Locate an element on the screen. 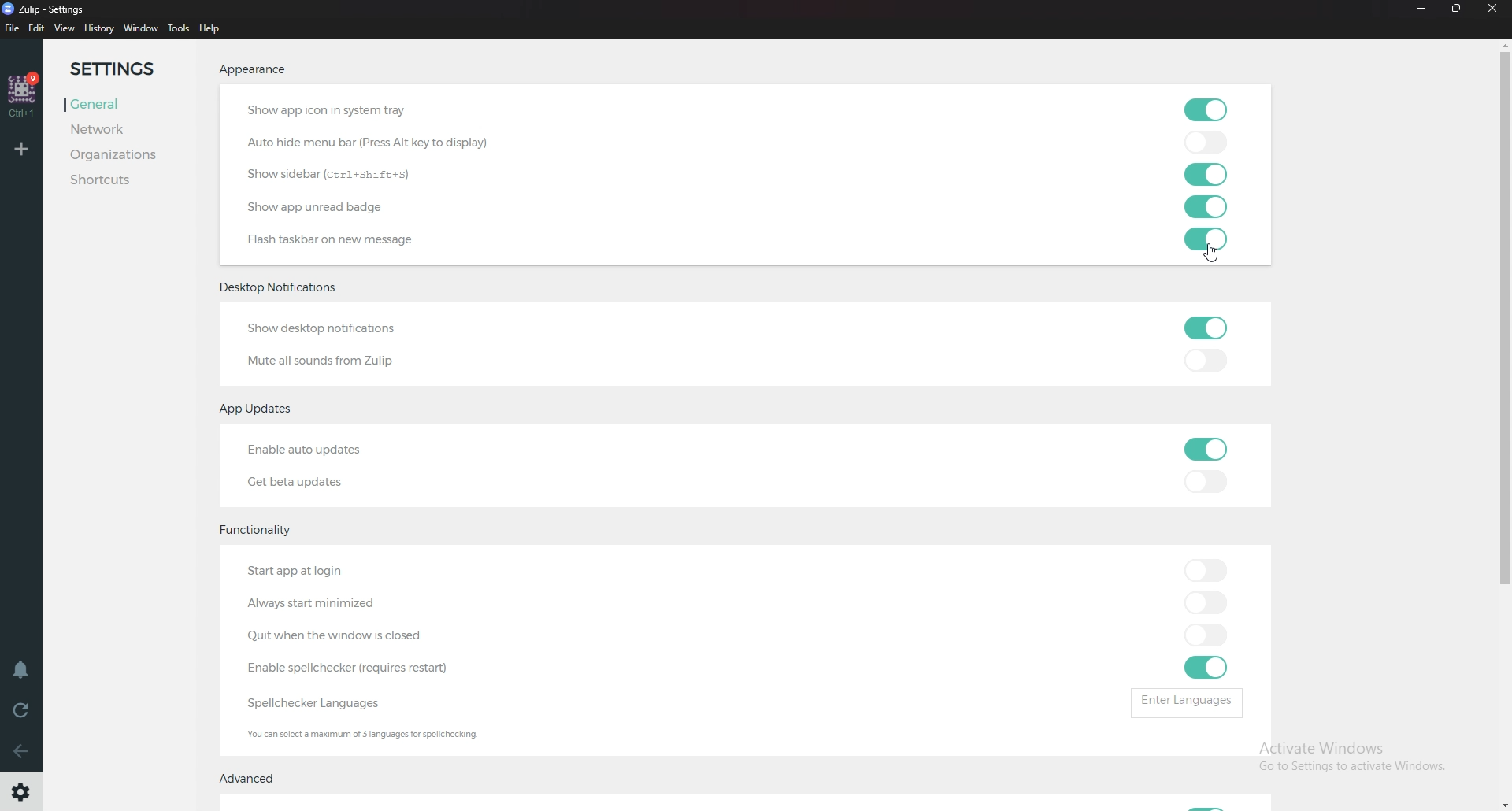 The width and height of the screenshot is (1512, 811). Organizations is located at coordinates (117, 154).